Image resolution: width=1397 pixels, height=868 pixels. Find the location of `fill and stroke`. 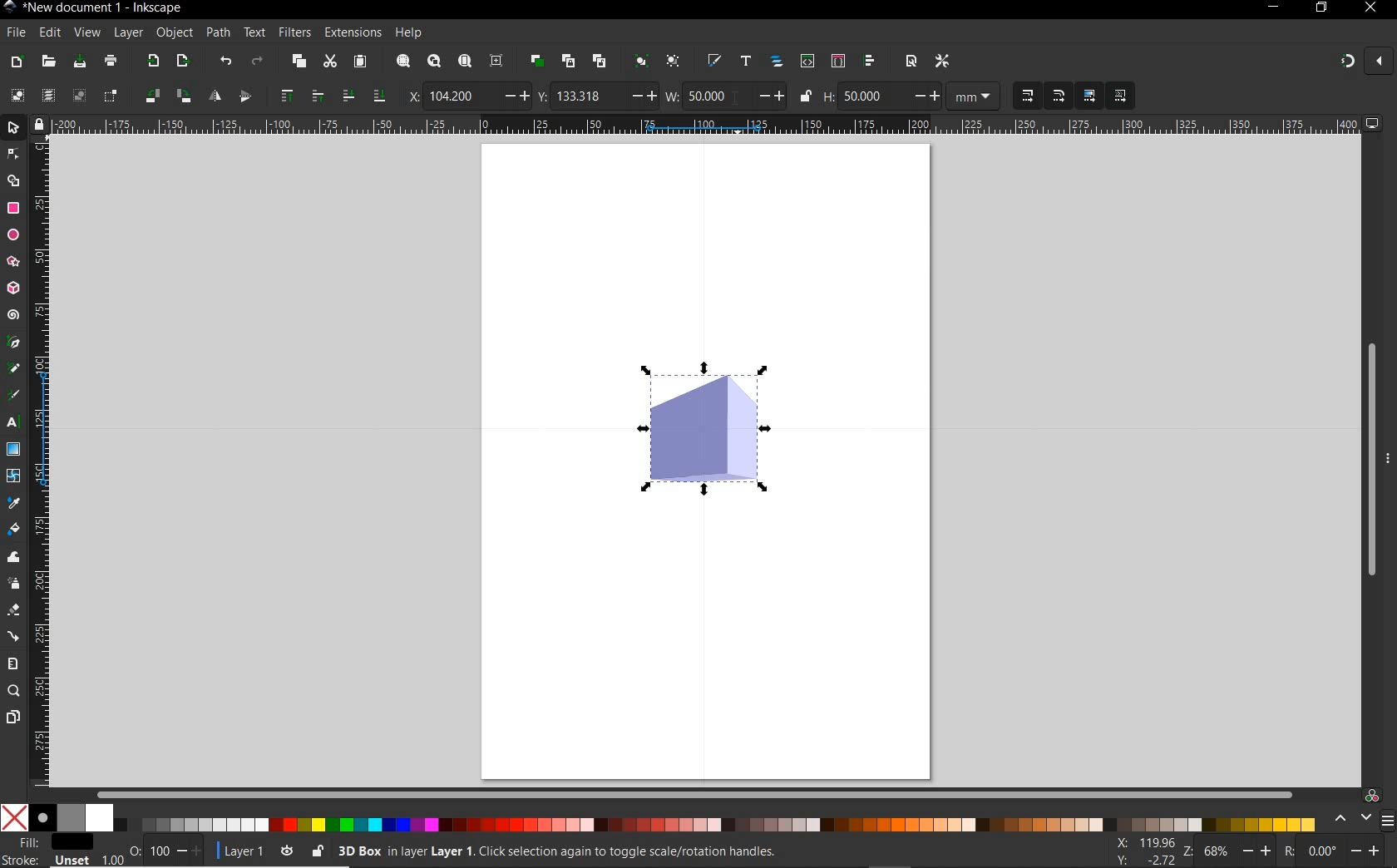

fill and stroke is located at coordinates (49, 851).